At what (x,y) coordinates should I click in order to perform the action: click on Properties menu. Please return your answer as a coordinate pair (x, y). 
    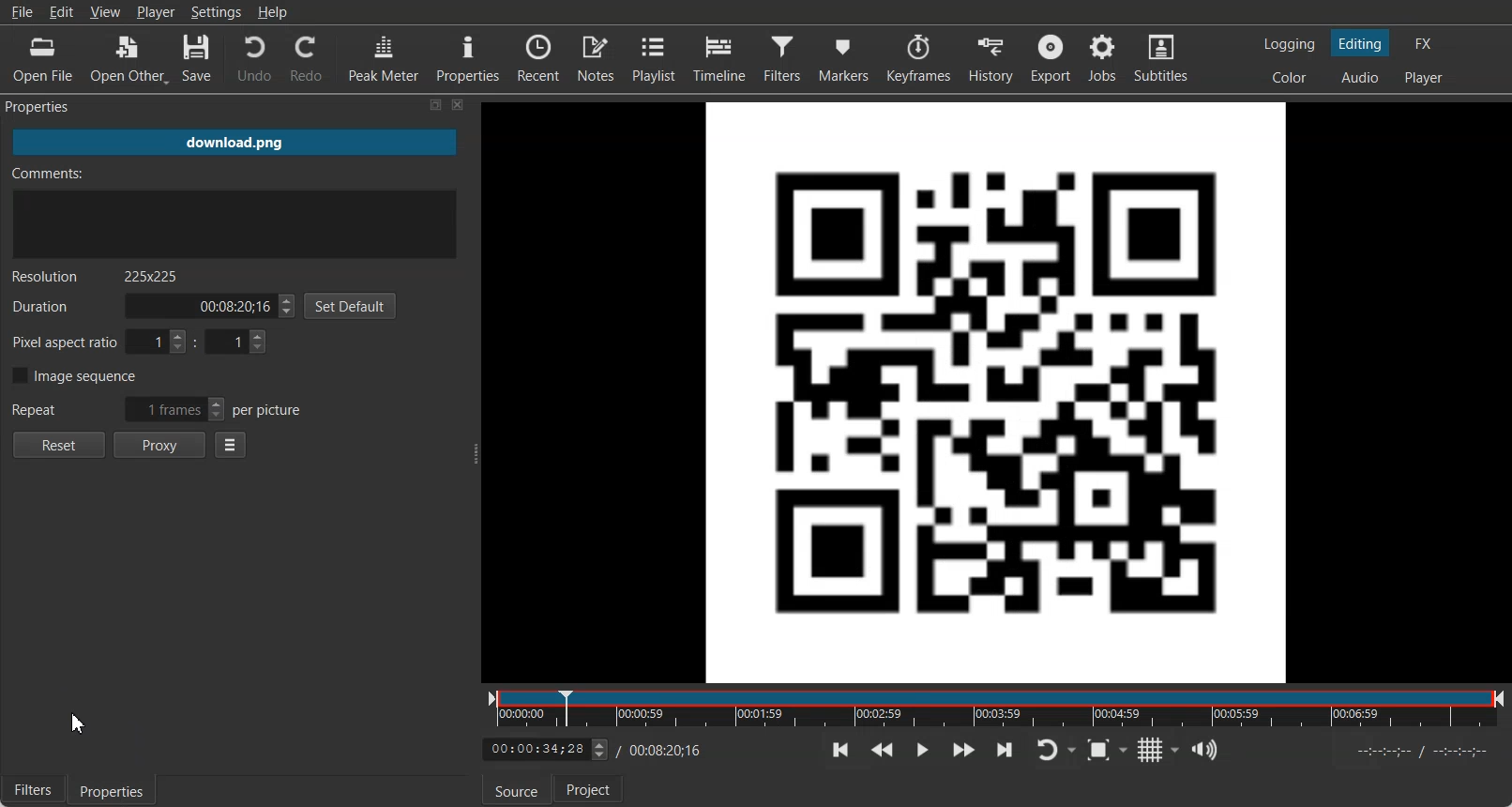
    Looking at the image, I should click on (231, 445).